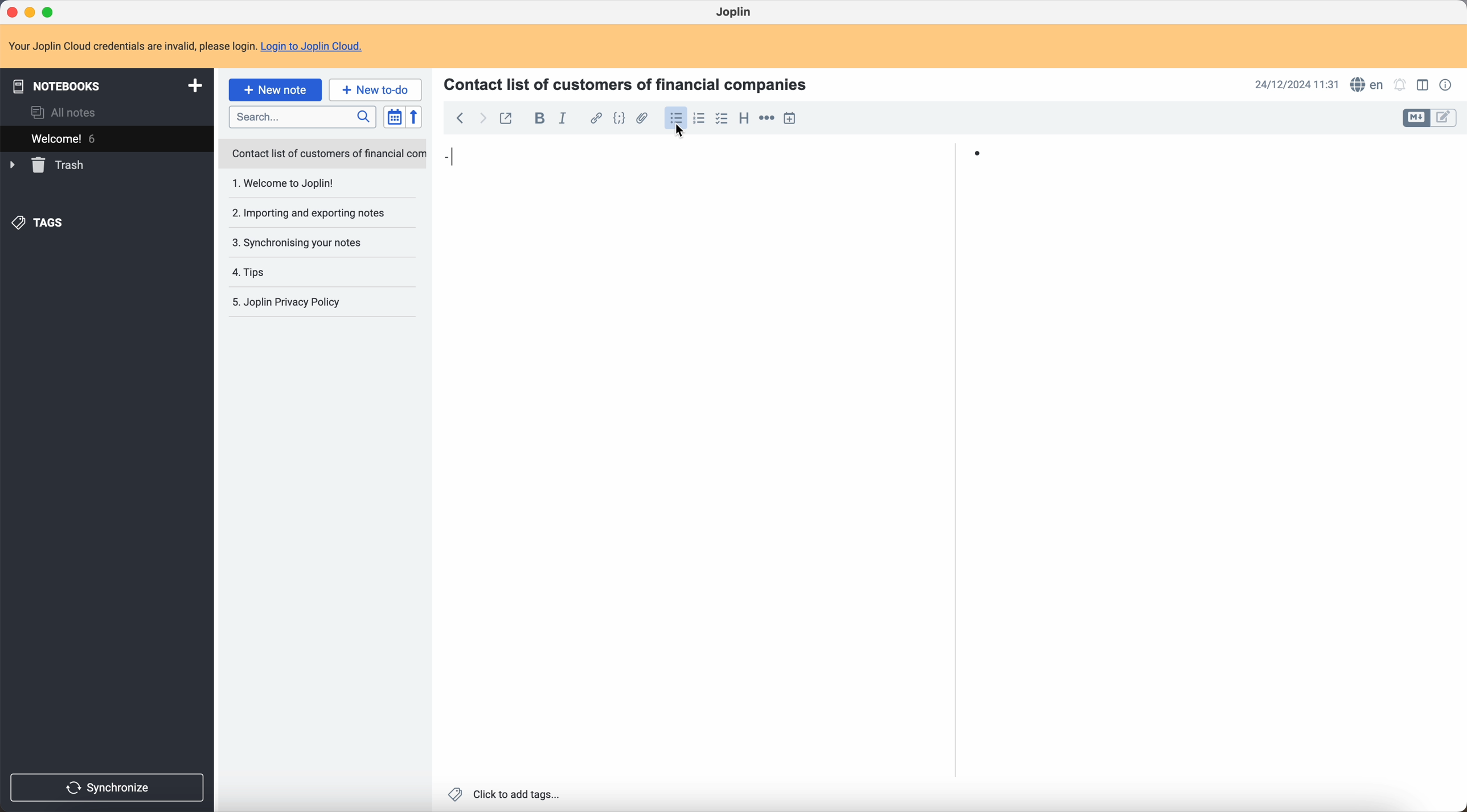 This screenshot has height=812, width=1467. Describe the element at coordinates (310, 184) in the screenshot. I see `1. Welcome to joplin!` at that location.